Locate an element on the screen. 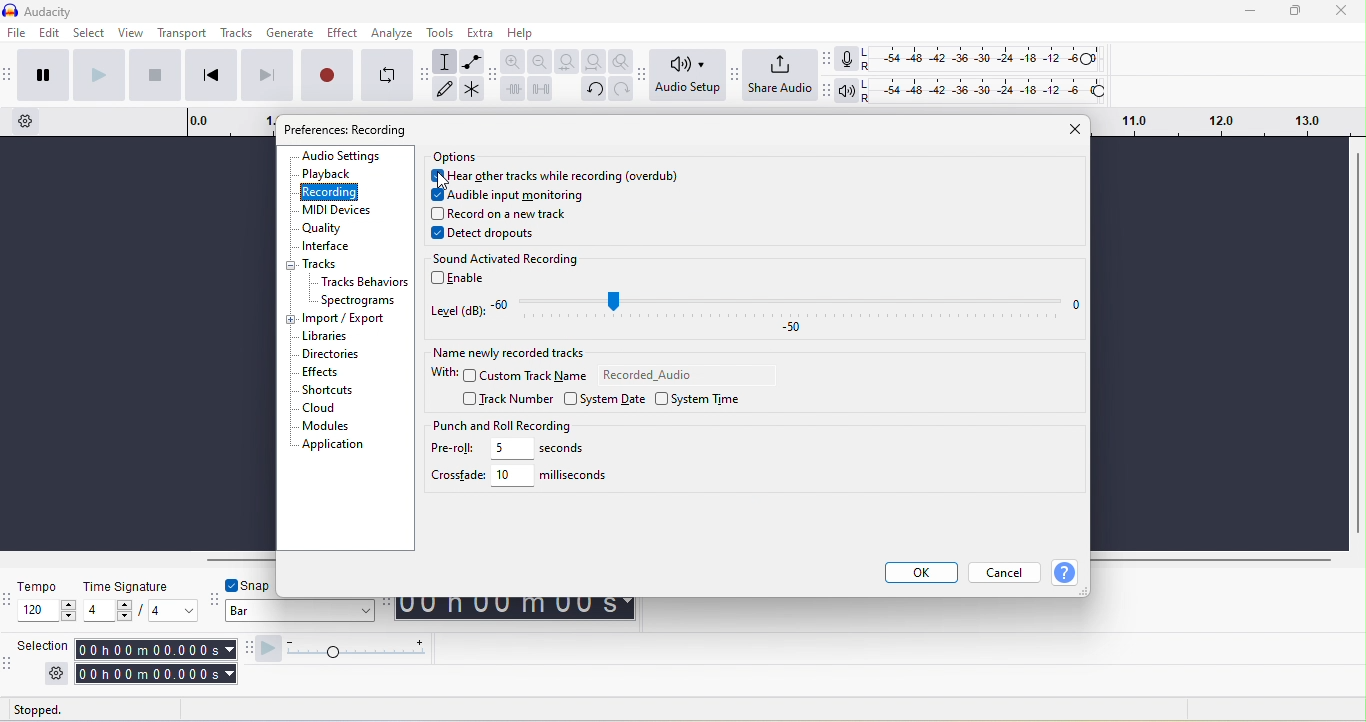  10 miliseconds is located at coordinates (550, 476).